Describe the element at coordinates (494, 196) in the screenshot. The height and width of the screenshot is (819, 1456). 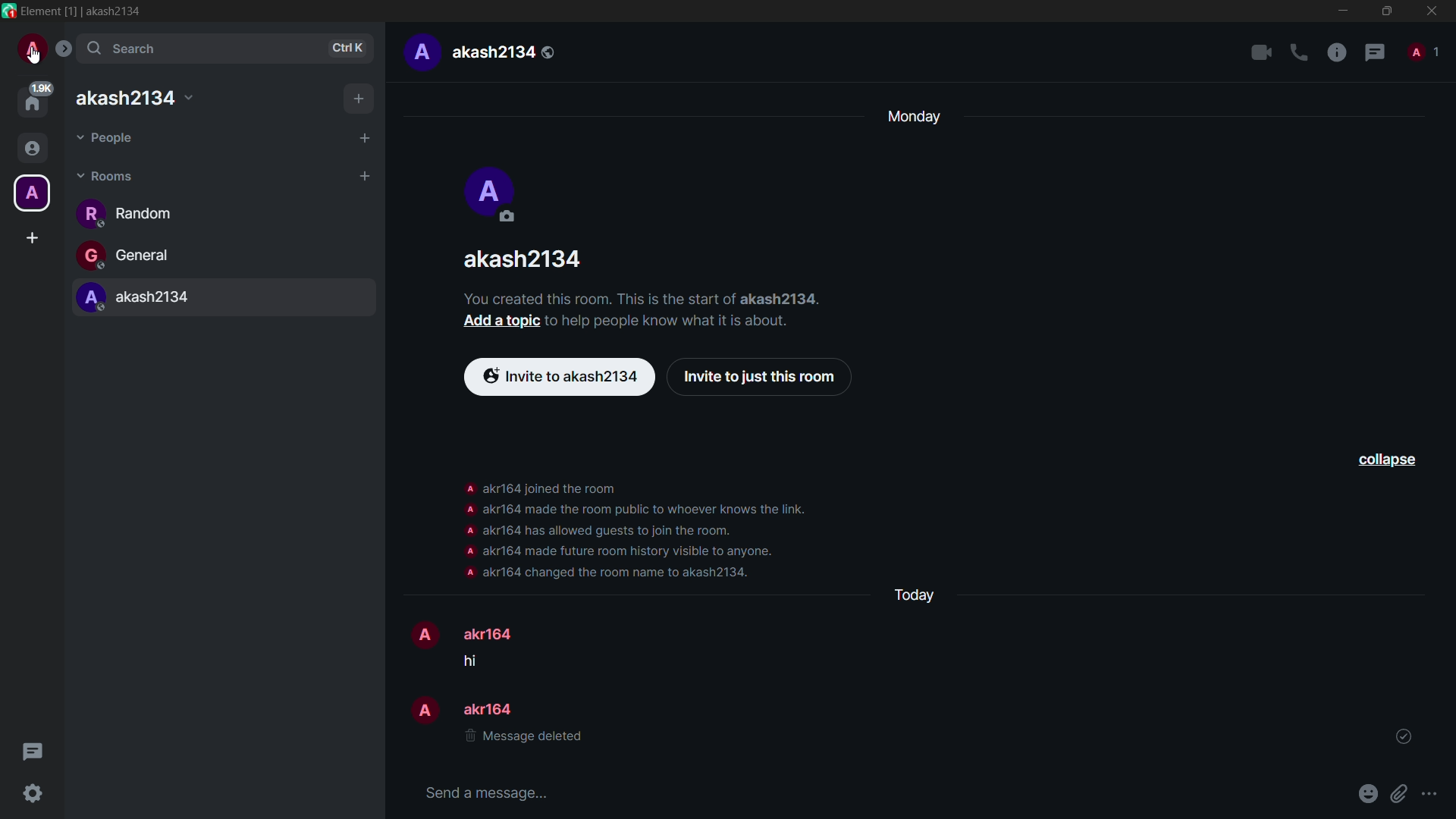
I see `profile icon` at that location.